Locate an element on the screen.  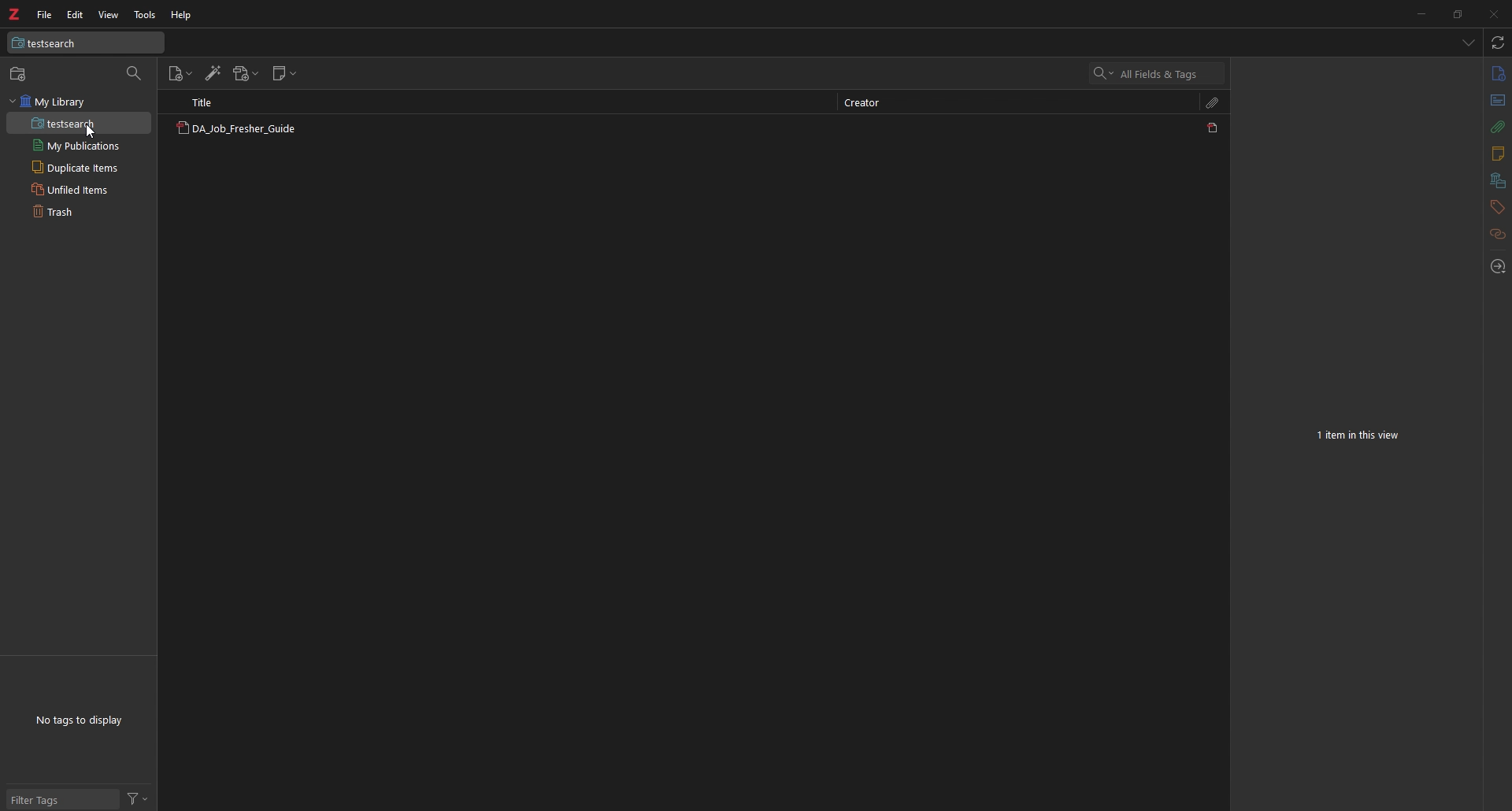
creator is located at coordinates (868, 104).